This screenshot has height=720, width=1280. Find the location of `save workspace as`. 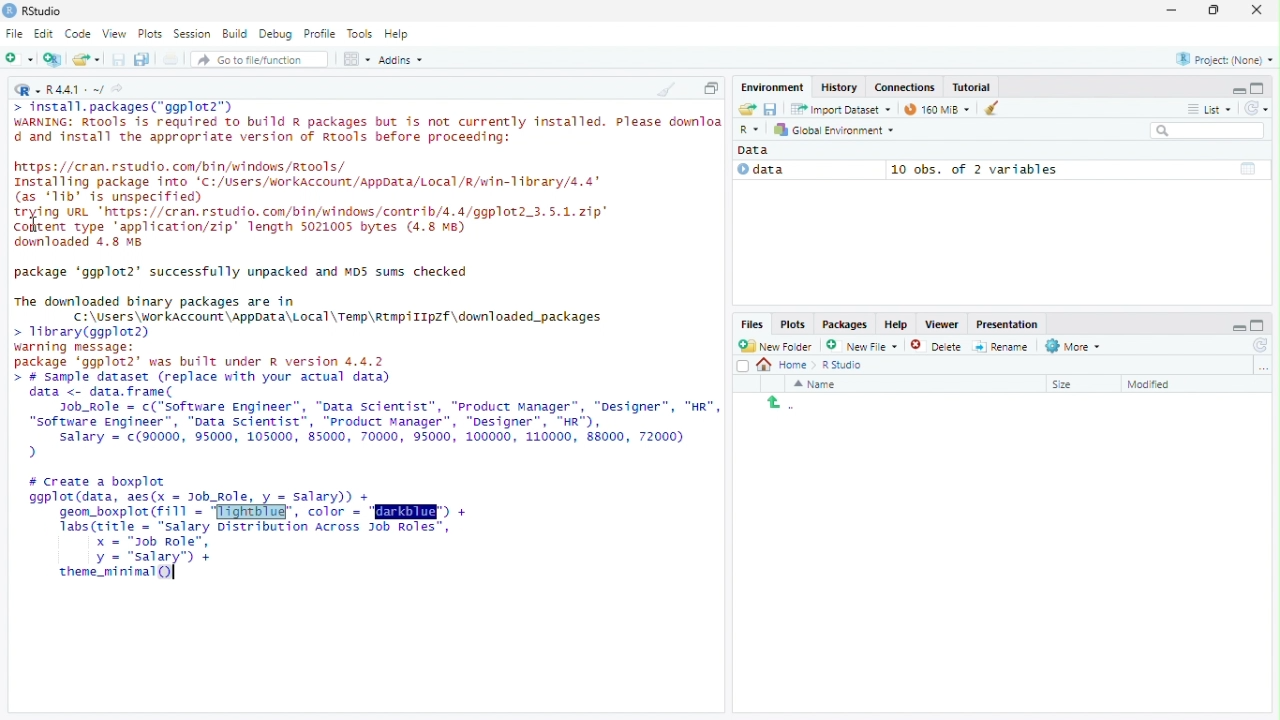

save workspace as is located at coordinates (773, 110).